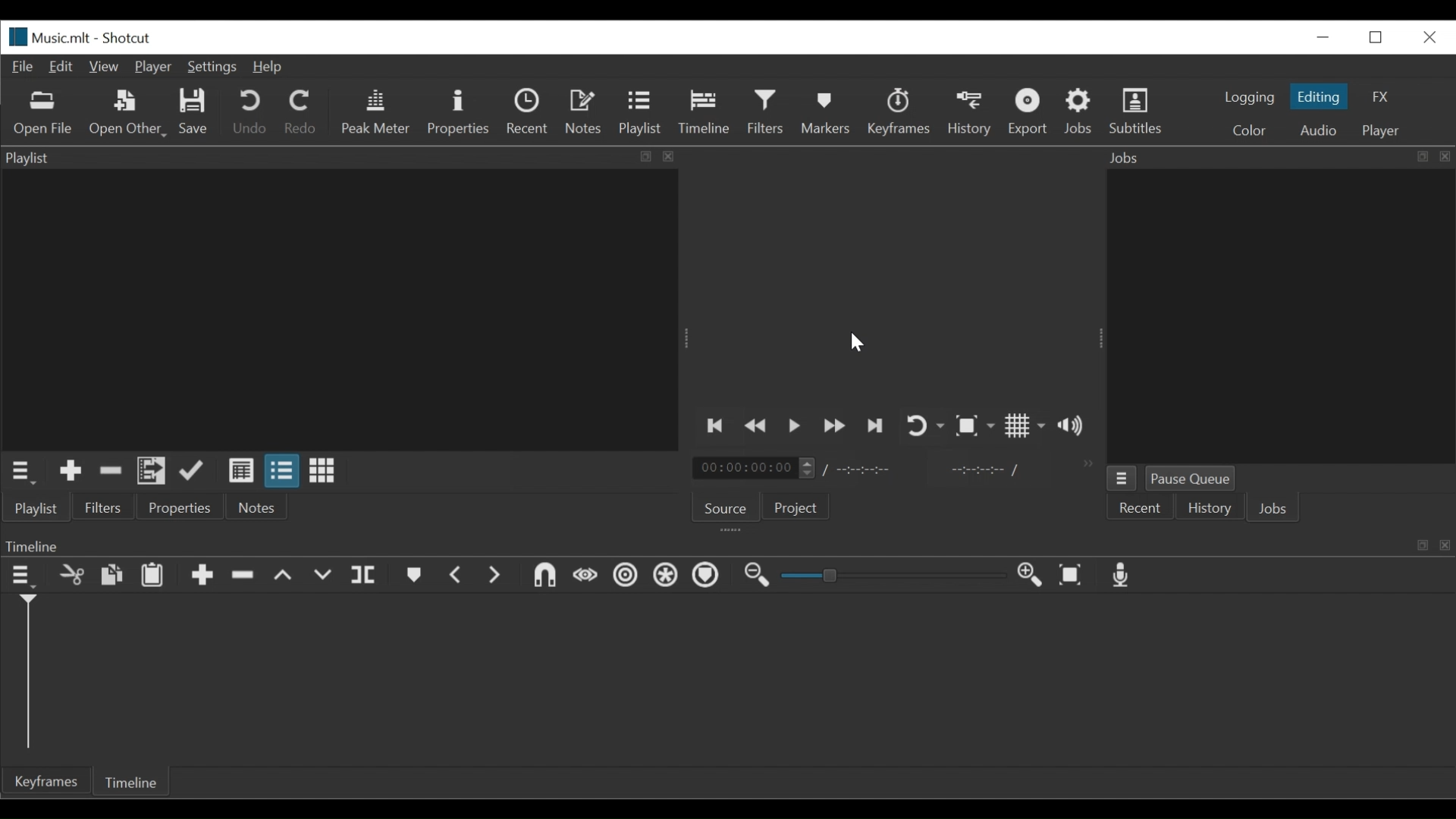  Describe the element at coordinates (281, 471) in the screenshot. I see `View as files` at that location.